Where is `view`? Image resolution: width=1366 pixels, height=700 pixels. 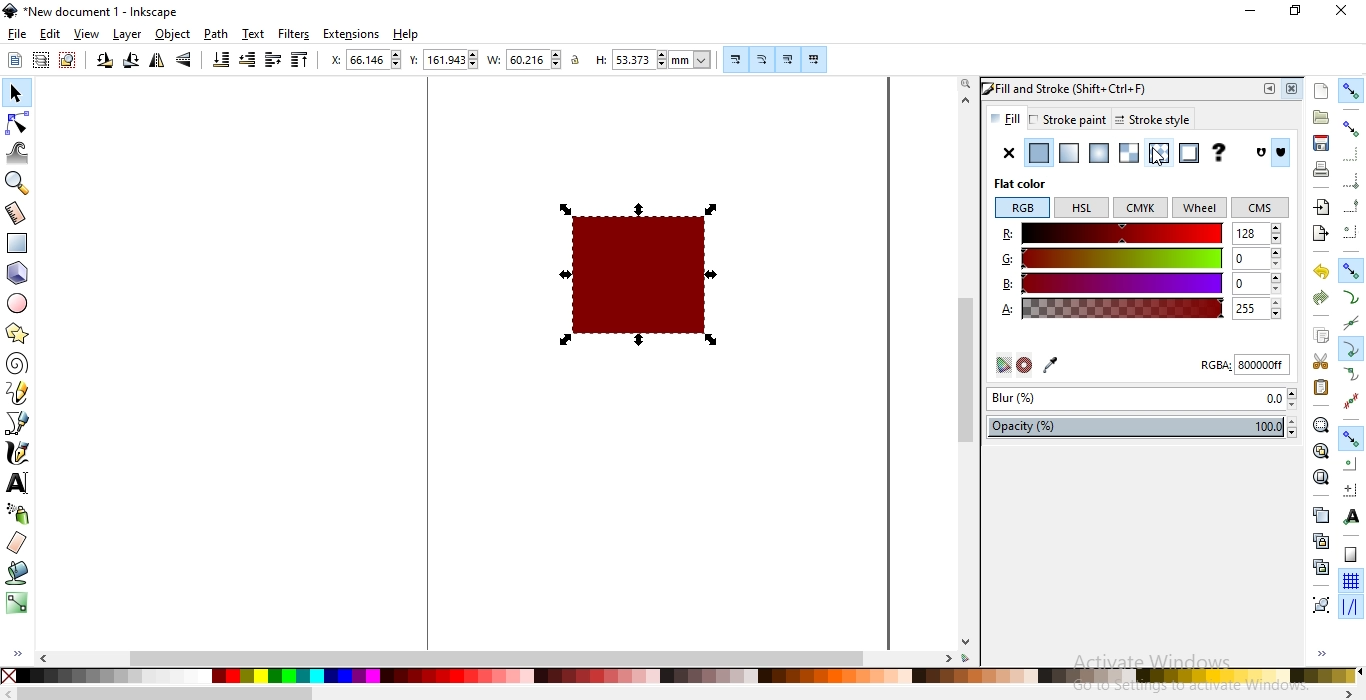
view is located at coordinates (88, 34).